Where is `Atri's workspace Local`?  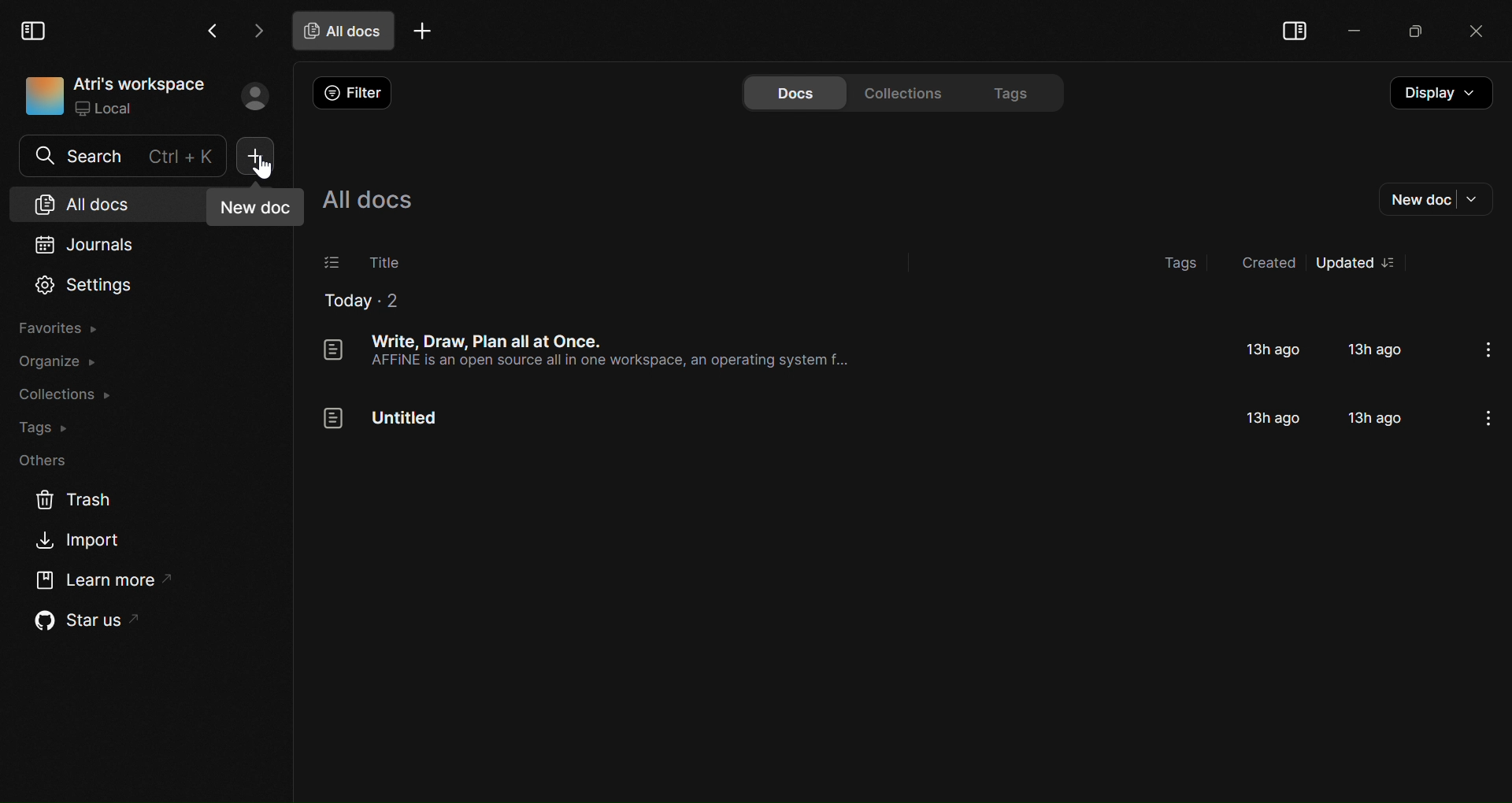 Atri's workspace Local is located at coordinates (140, 97).